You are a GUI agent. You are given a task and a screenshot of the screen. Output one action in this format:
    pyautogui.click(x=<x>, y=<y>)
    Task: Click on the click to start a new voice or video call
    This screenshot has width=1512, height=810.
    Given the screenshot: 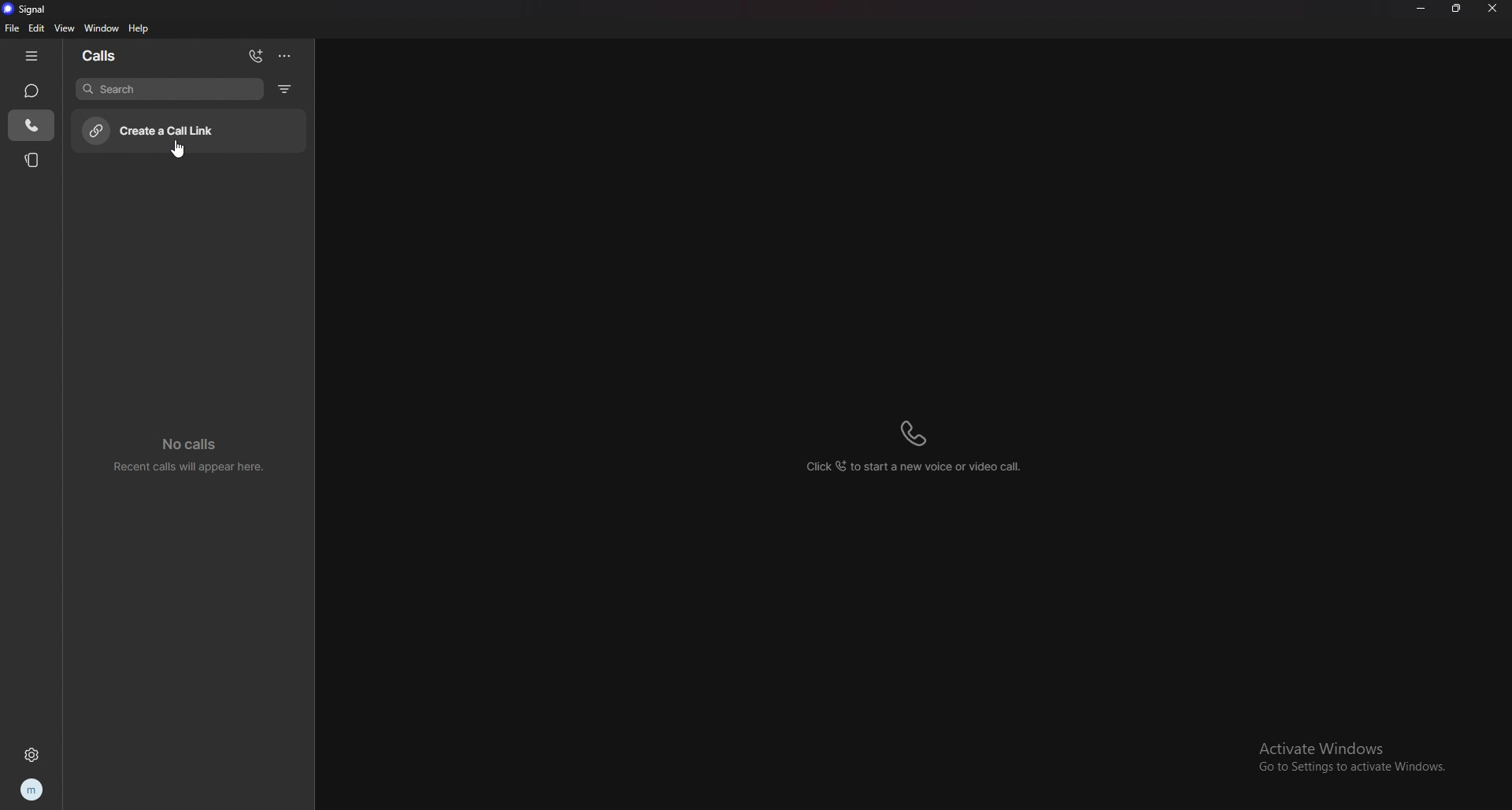 What is the action you would take?
    pyautogui.click(x=923, y=441)
    